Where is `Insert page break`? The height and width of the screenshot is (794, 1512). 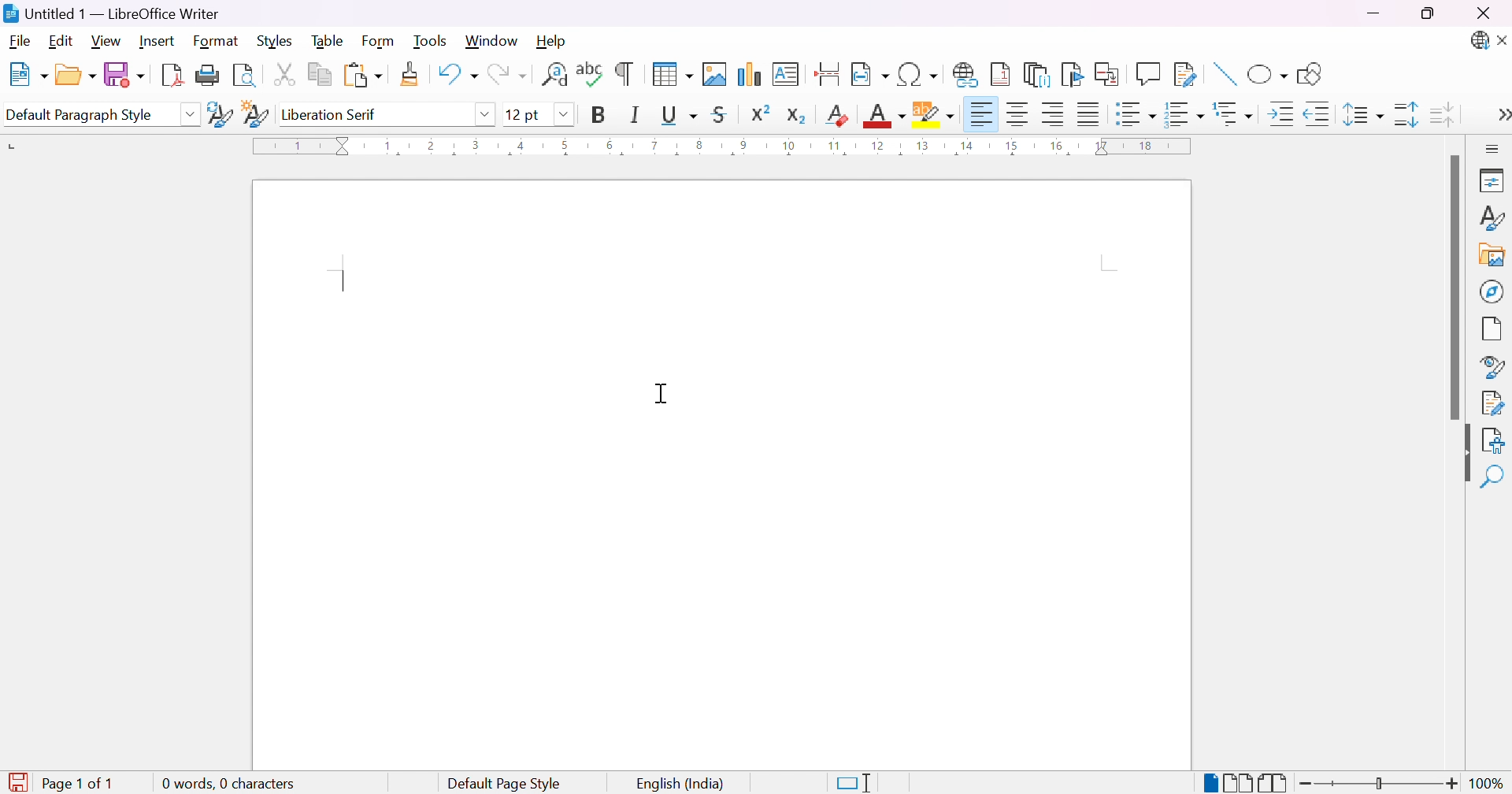 Insert page break is located at coordinates (829, 74).